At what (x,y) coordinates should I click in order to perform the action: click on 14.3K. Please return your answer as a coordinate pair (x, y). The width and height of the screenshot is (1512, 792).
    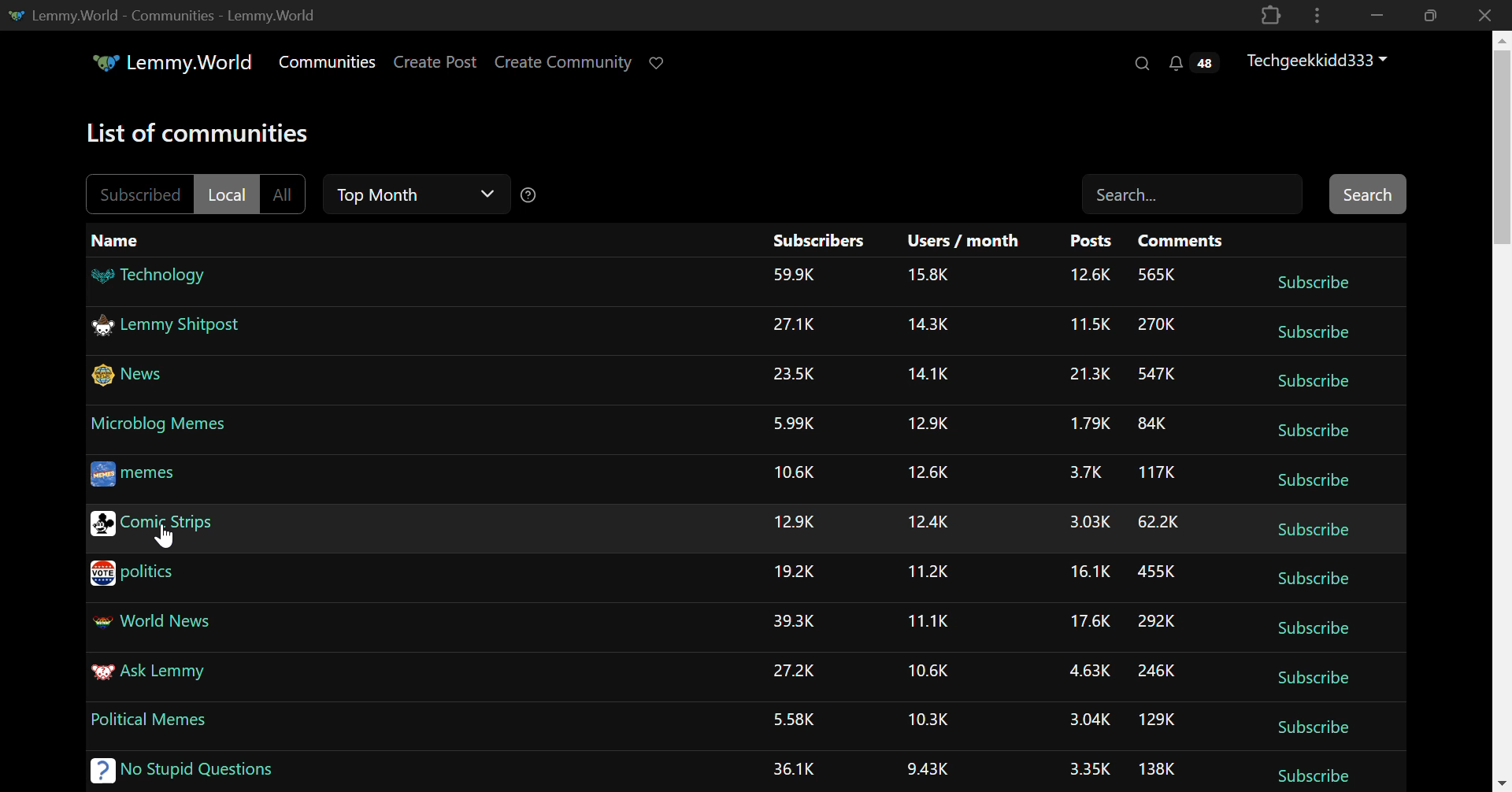
    Looking at the image, I should click on (927, 323).